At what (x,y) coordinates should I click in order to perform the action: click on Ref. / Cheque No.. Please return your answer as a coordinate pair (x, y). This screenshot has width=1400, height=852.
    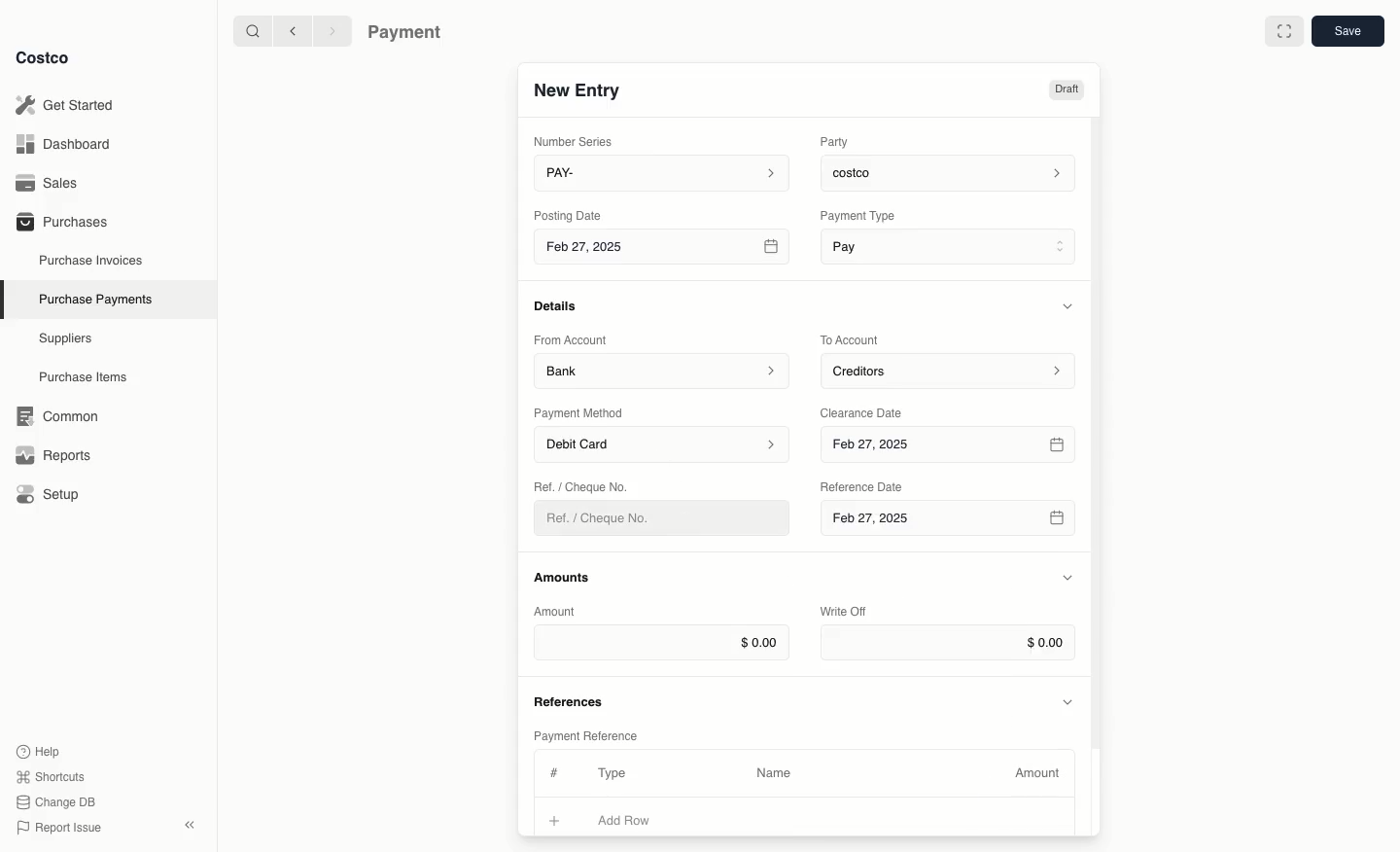
    Looking at the image, I should click on (606, 518).